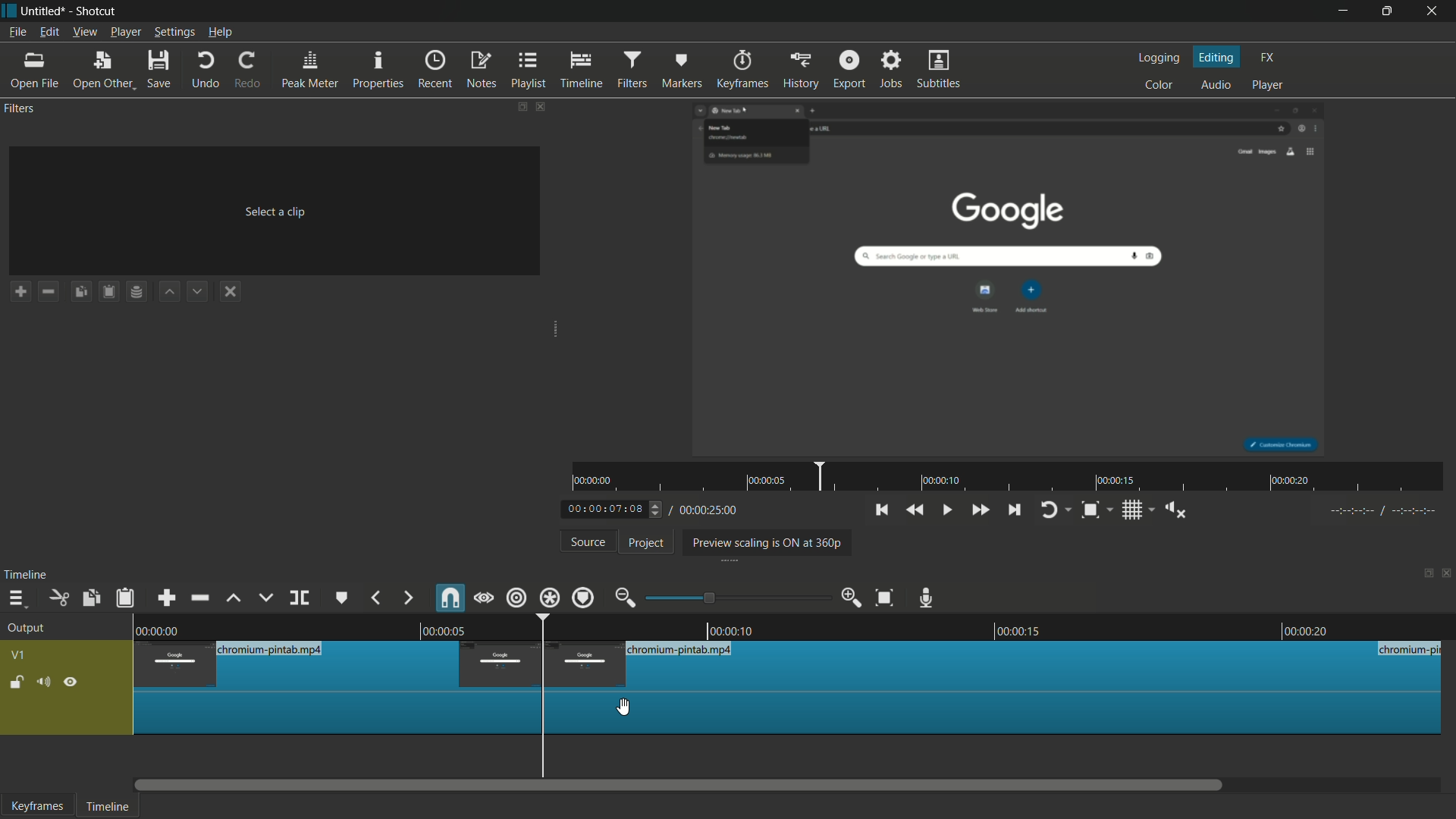  Describe the element at coordinates (202, 598) in the screenshot. I see `ripple delete` at that location.